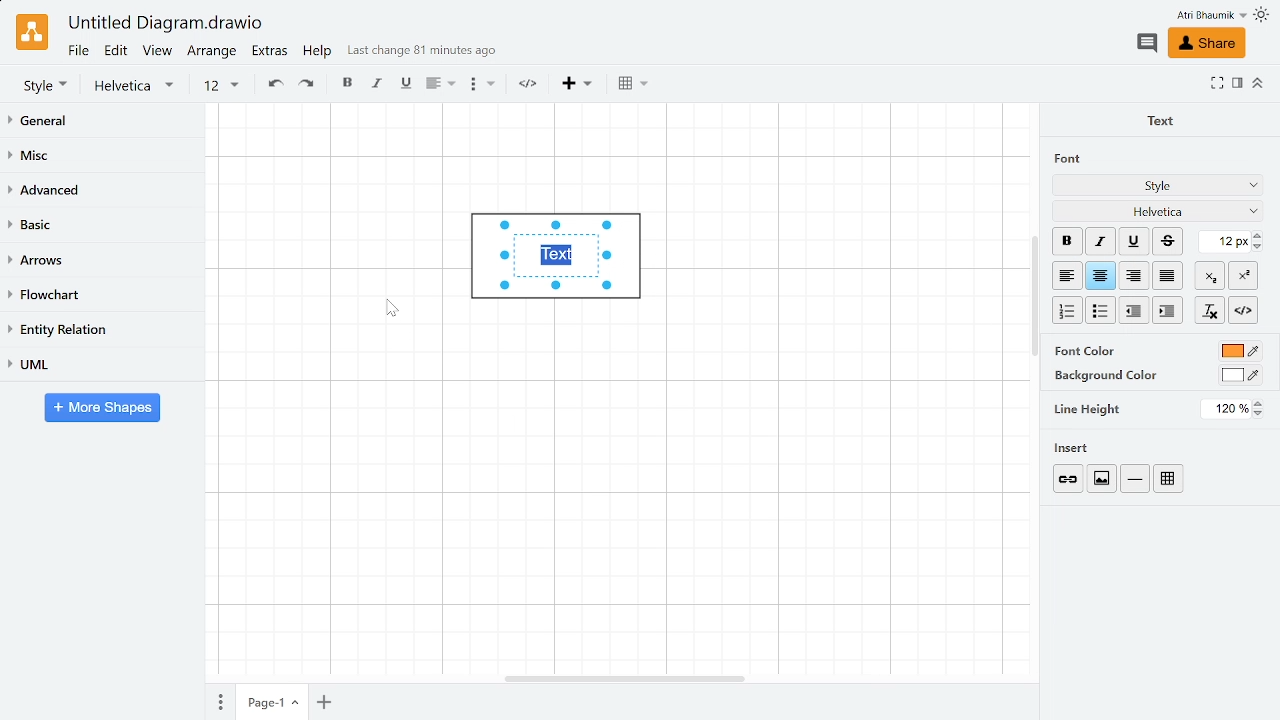 The height and width of the screenshot is (720, 1280). I want to click on Edit, so click(116, 51).